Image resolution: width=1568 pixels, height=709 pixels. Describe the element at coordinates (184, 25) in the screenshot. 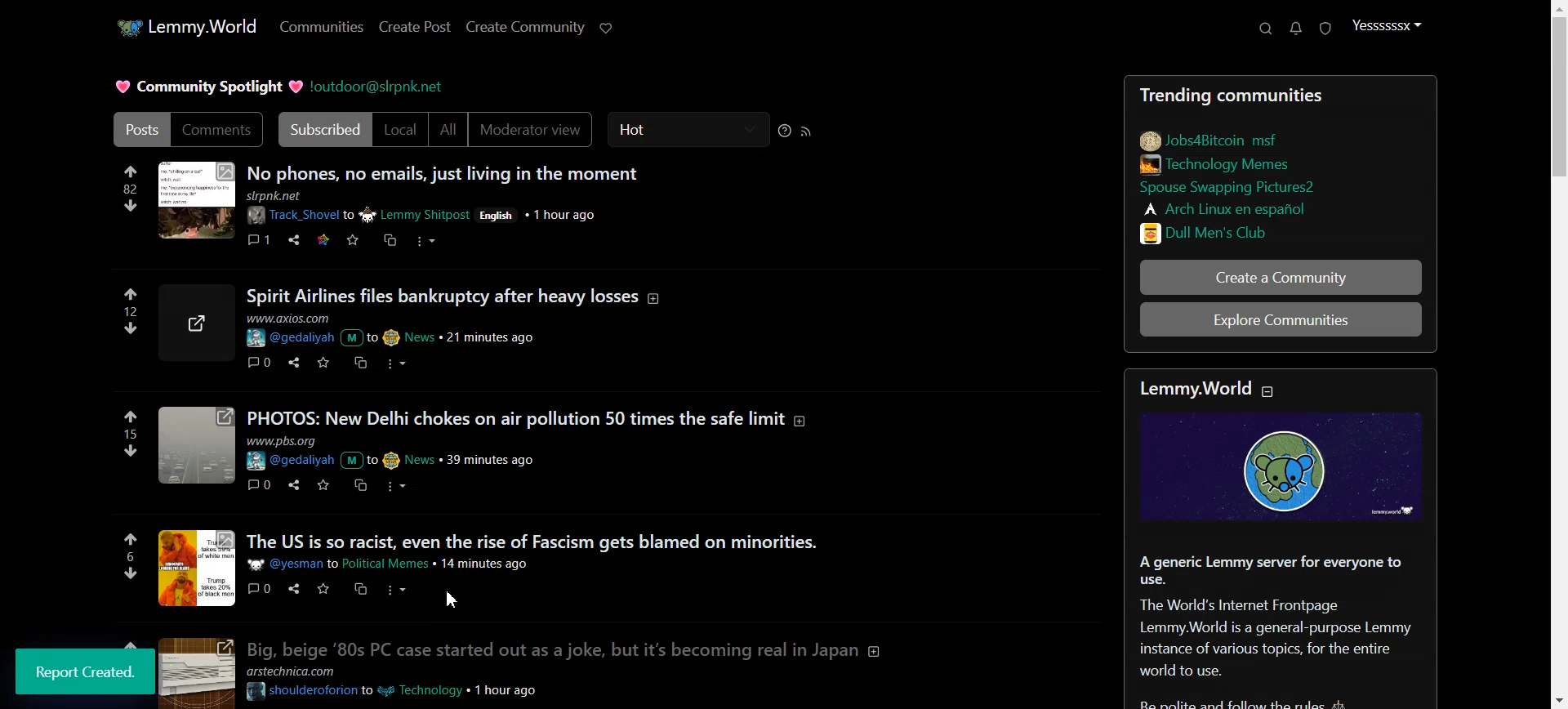

I see `Home page` at that location.